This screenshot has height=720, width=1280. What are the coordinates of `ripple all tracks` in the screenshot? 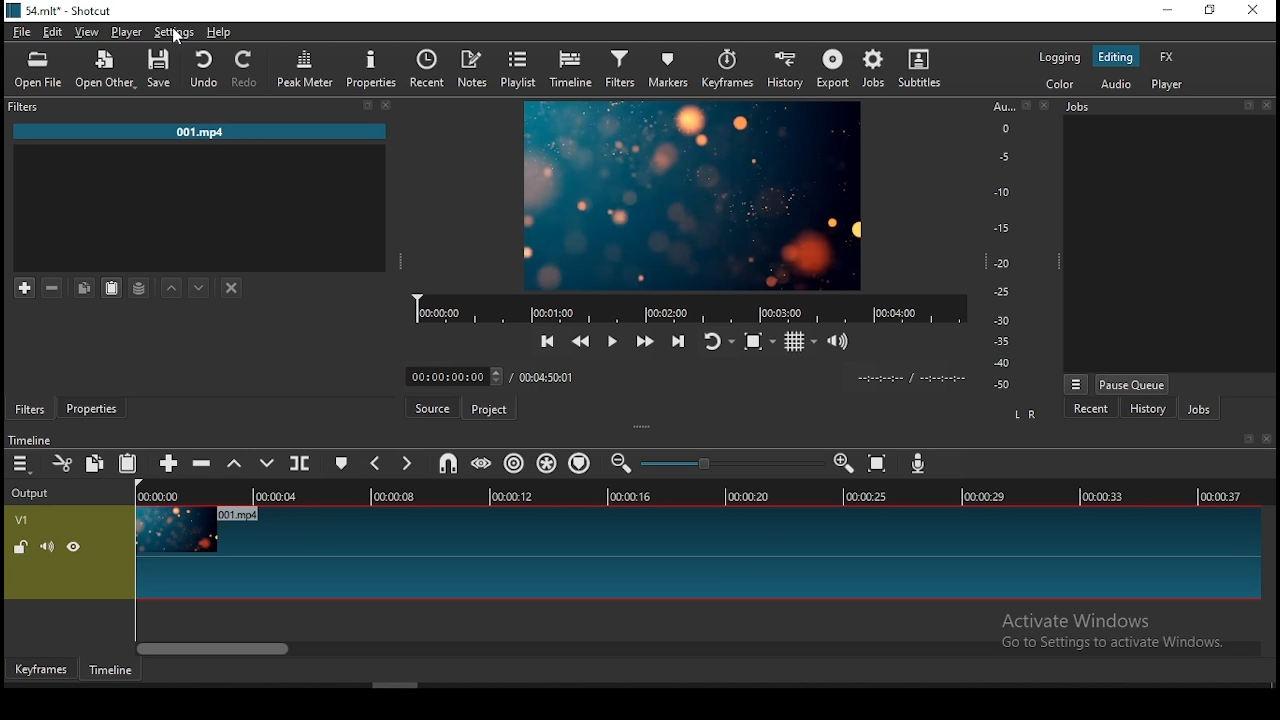 It's located at (546, 462).